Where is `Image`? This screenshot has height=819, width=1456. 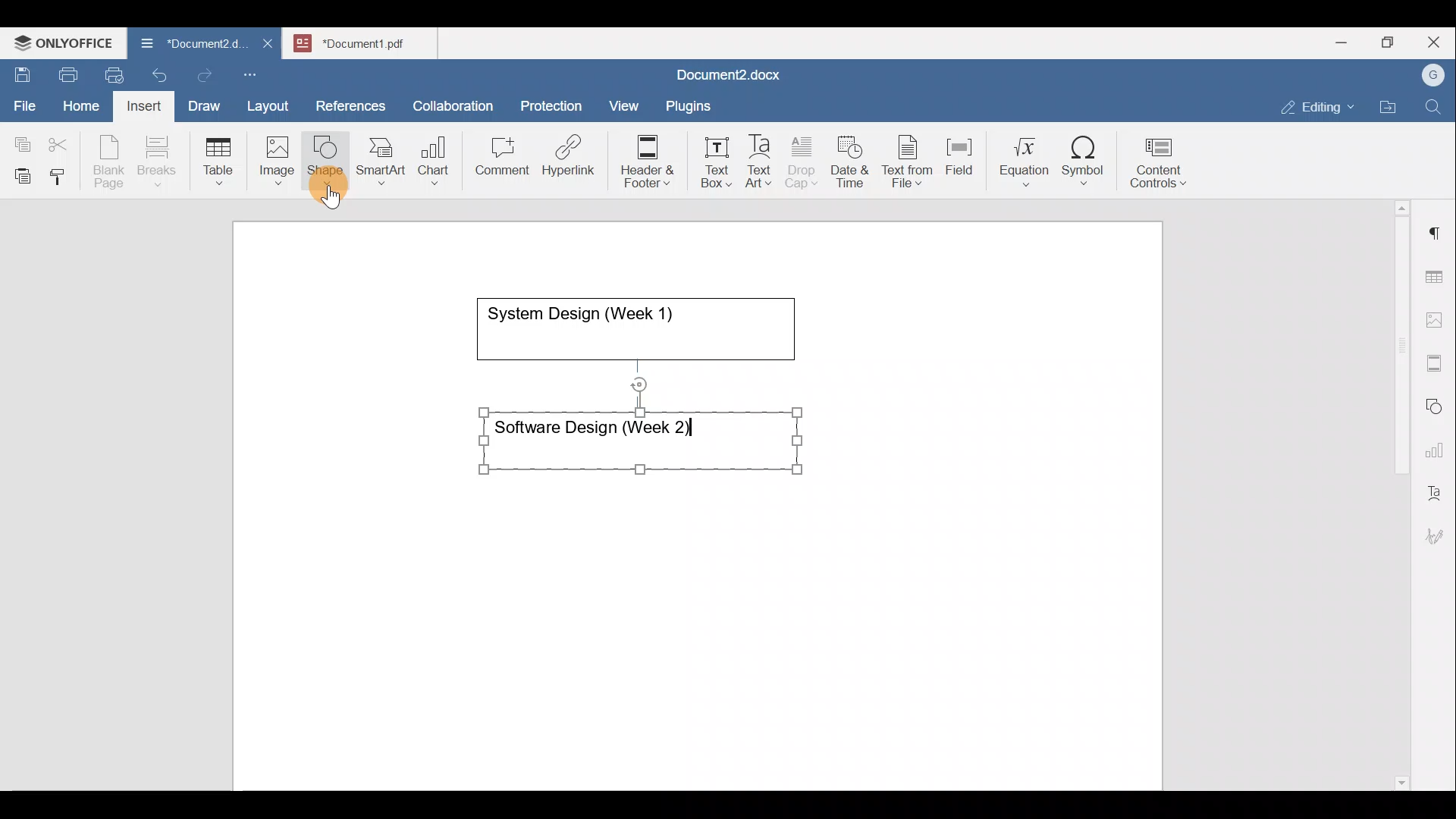
Image is located at coordinates (281, 155).